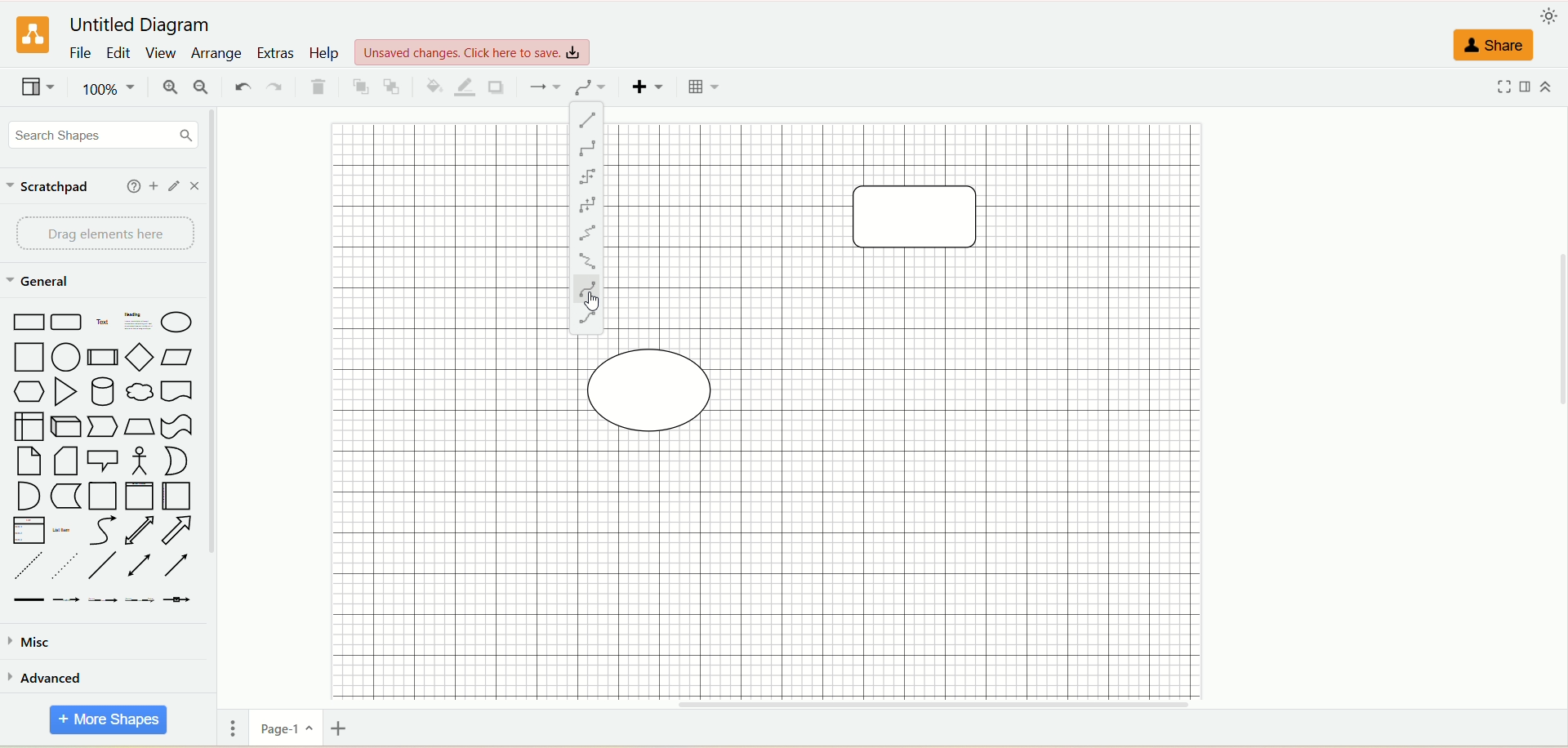 This screenshot has height=748, width=1568. I want to click on simple, so click(587, 176).